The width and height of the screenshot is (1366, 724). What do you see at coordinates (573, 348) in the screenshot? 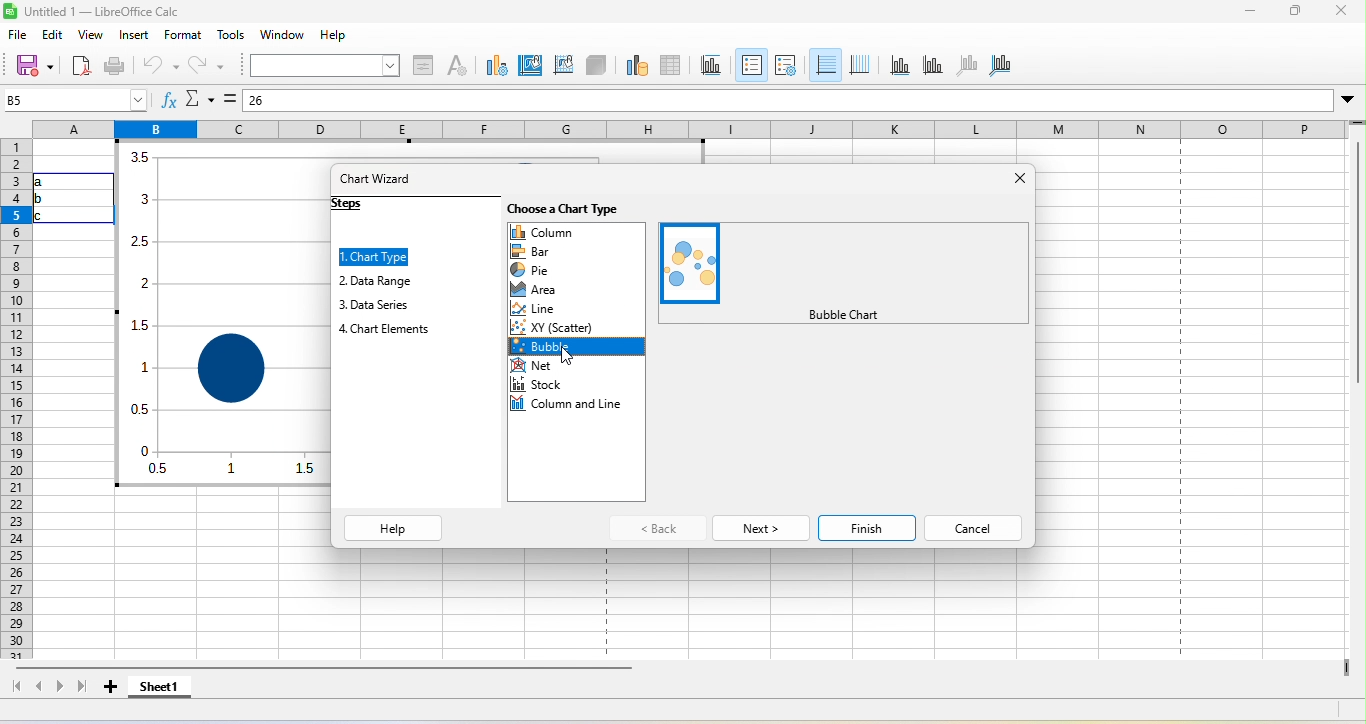
I see `select bubble` at bounding box center [573, 348].